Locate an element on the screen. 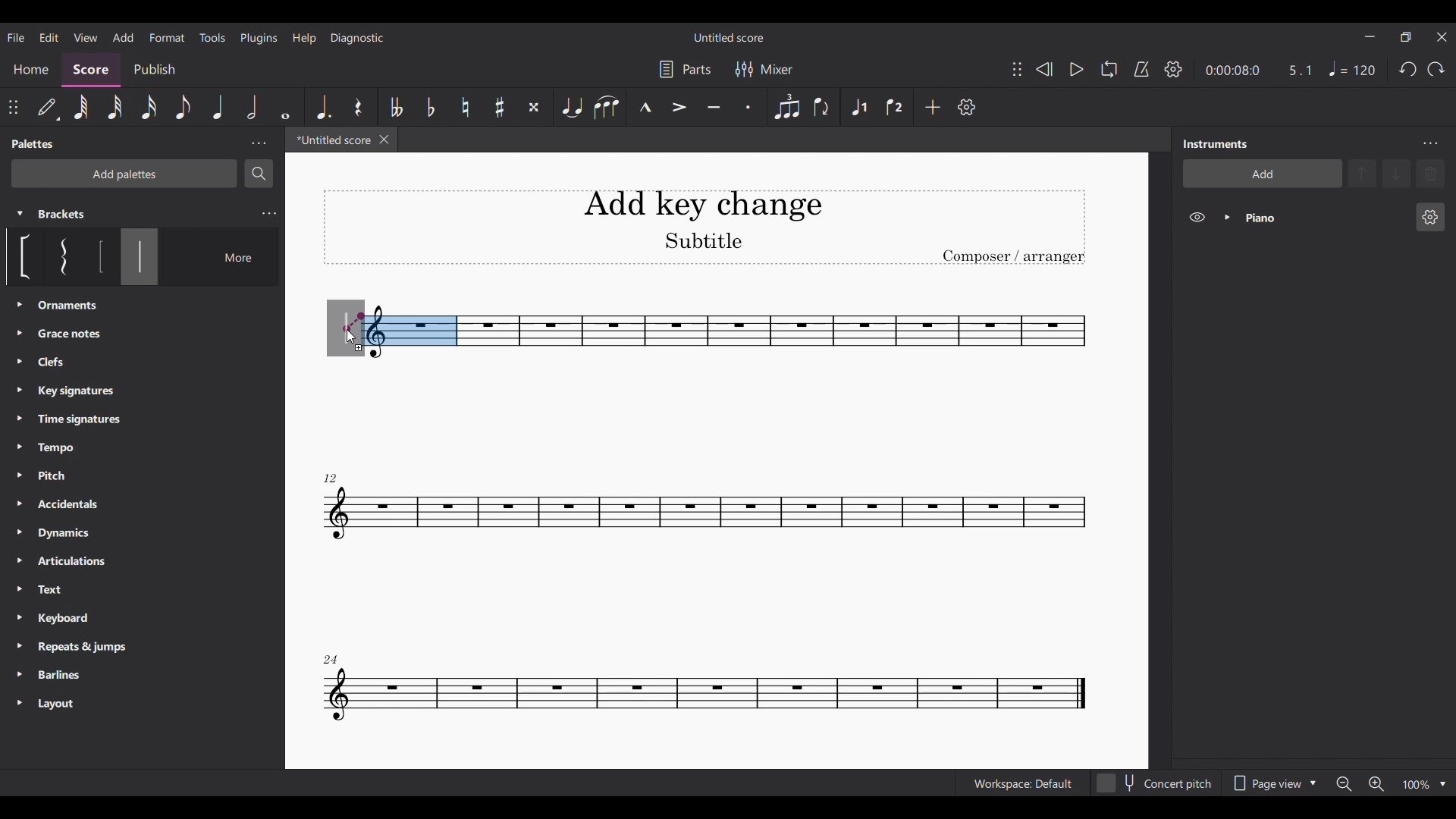 The width and height of the screenshot is (1456, 819). Title, sub-title, and composer name is located at coordinates (704, 227).